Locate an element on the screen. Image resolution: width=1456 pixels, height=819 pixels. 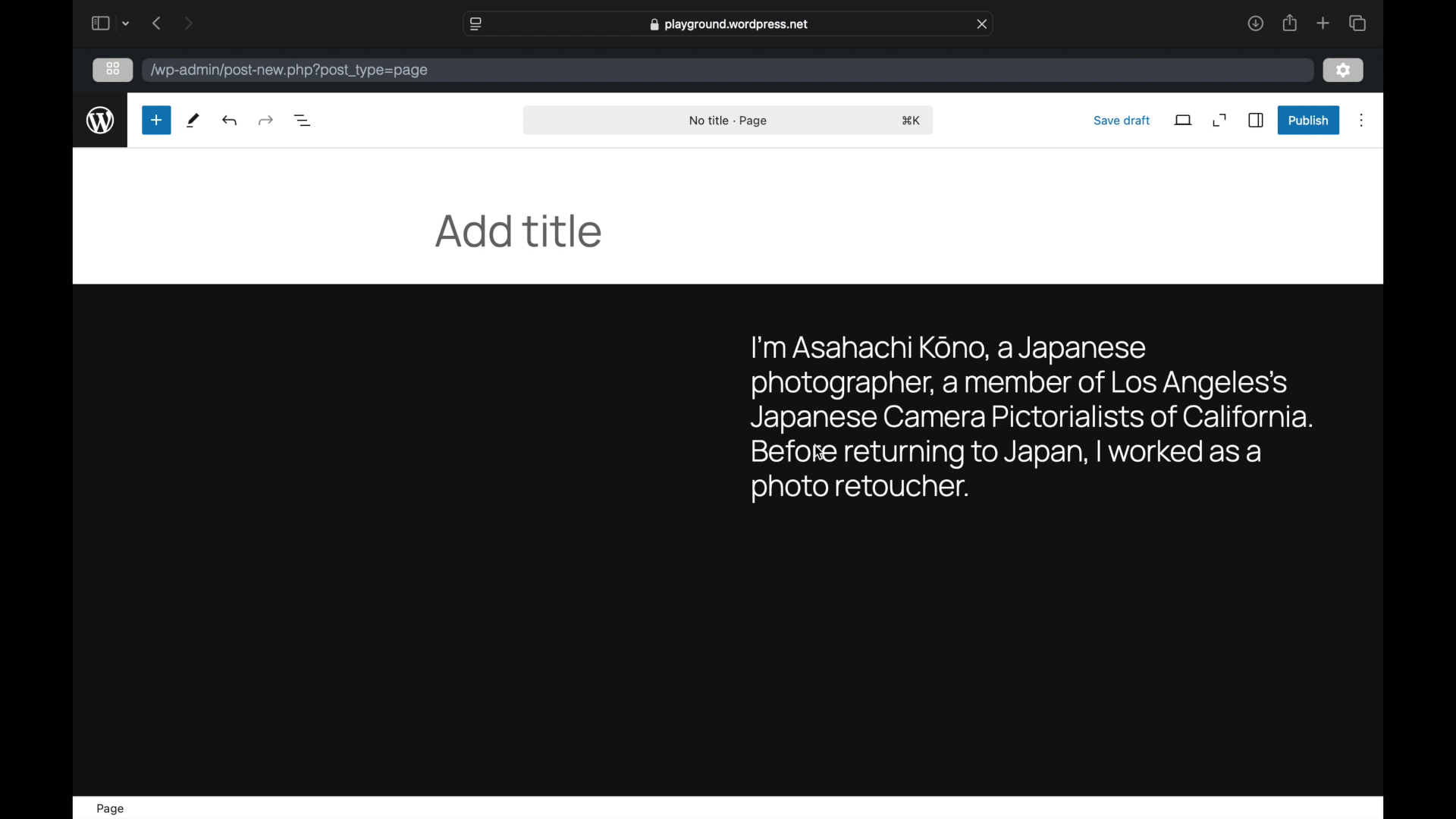
sample byline is located at coordinates (1029, 419).